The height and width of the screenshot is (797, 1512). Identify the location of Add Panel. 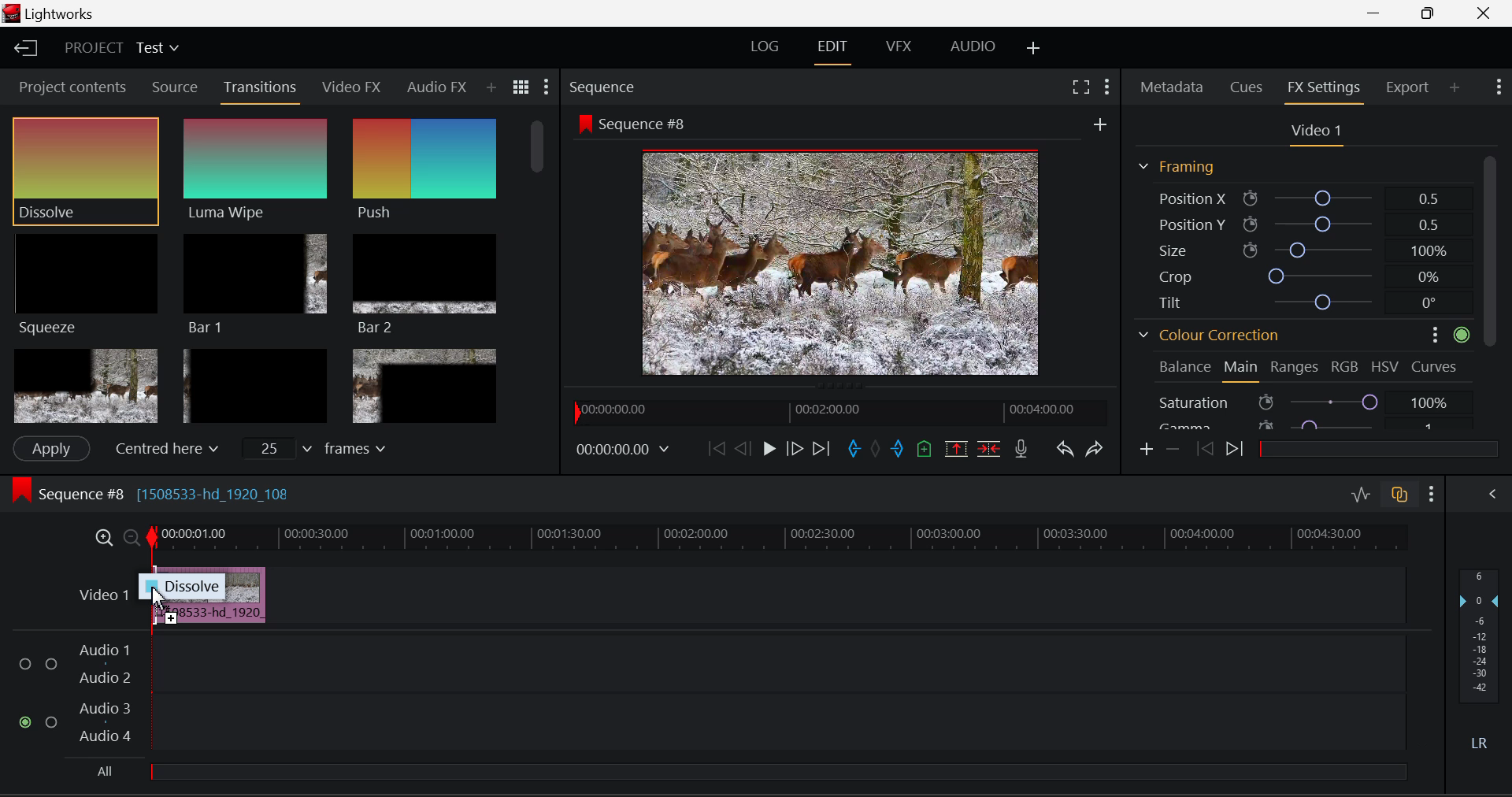
(1454, 85).